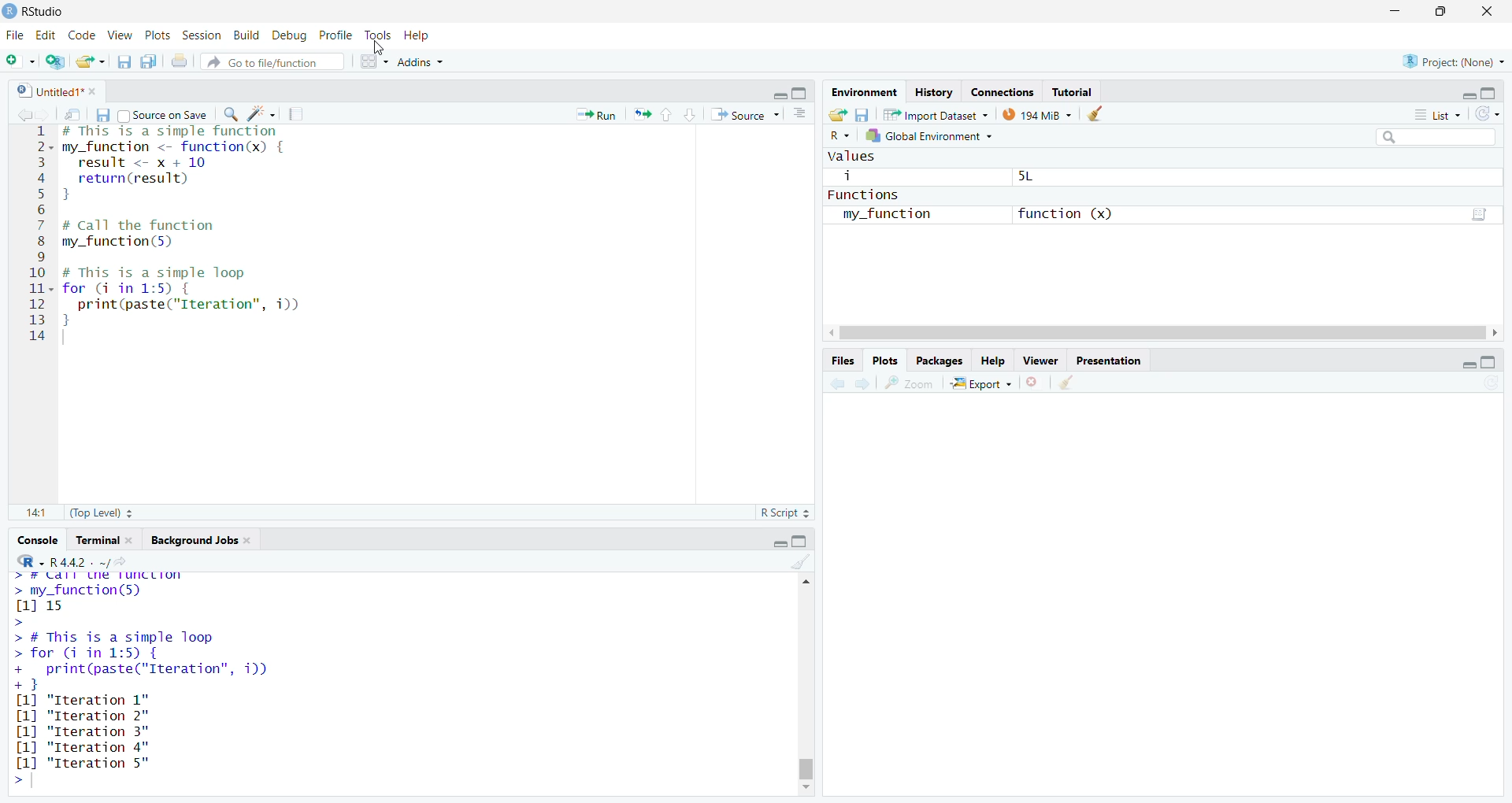 Image resolution: width=1512 pixels, height=803 pixels. Describe the element at coordinates (378, 49) in the screenshot. I see `cursor` at that location.